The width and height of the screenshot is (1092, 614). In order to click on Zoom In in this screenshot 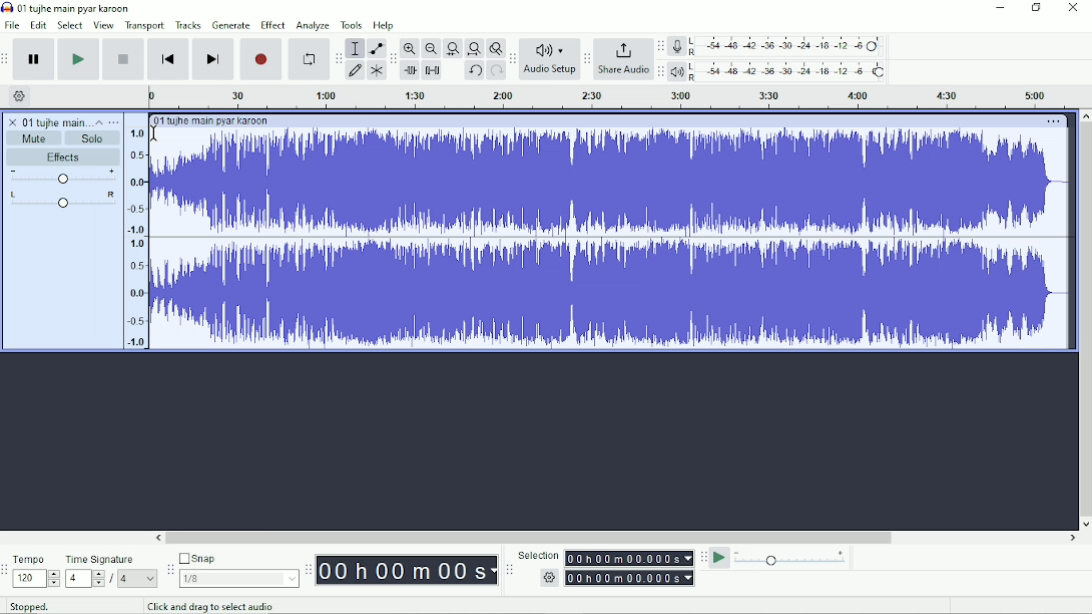, I will do `click(410, 48)`.